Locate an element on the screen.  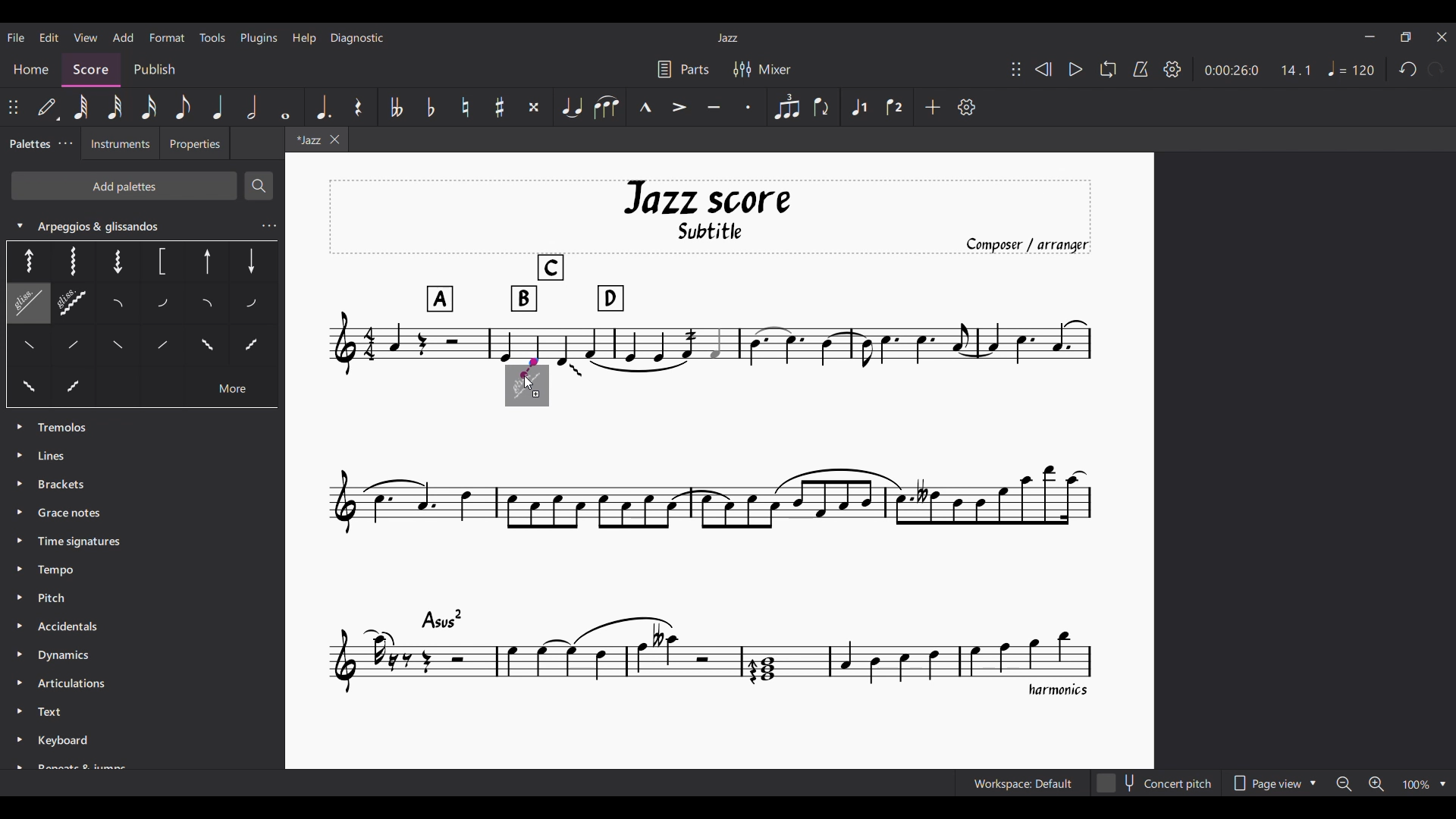
32nd note is located at coordinates (115, 107).